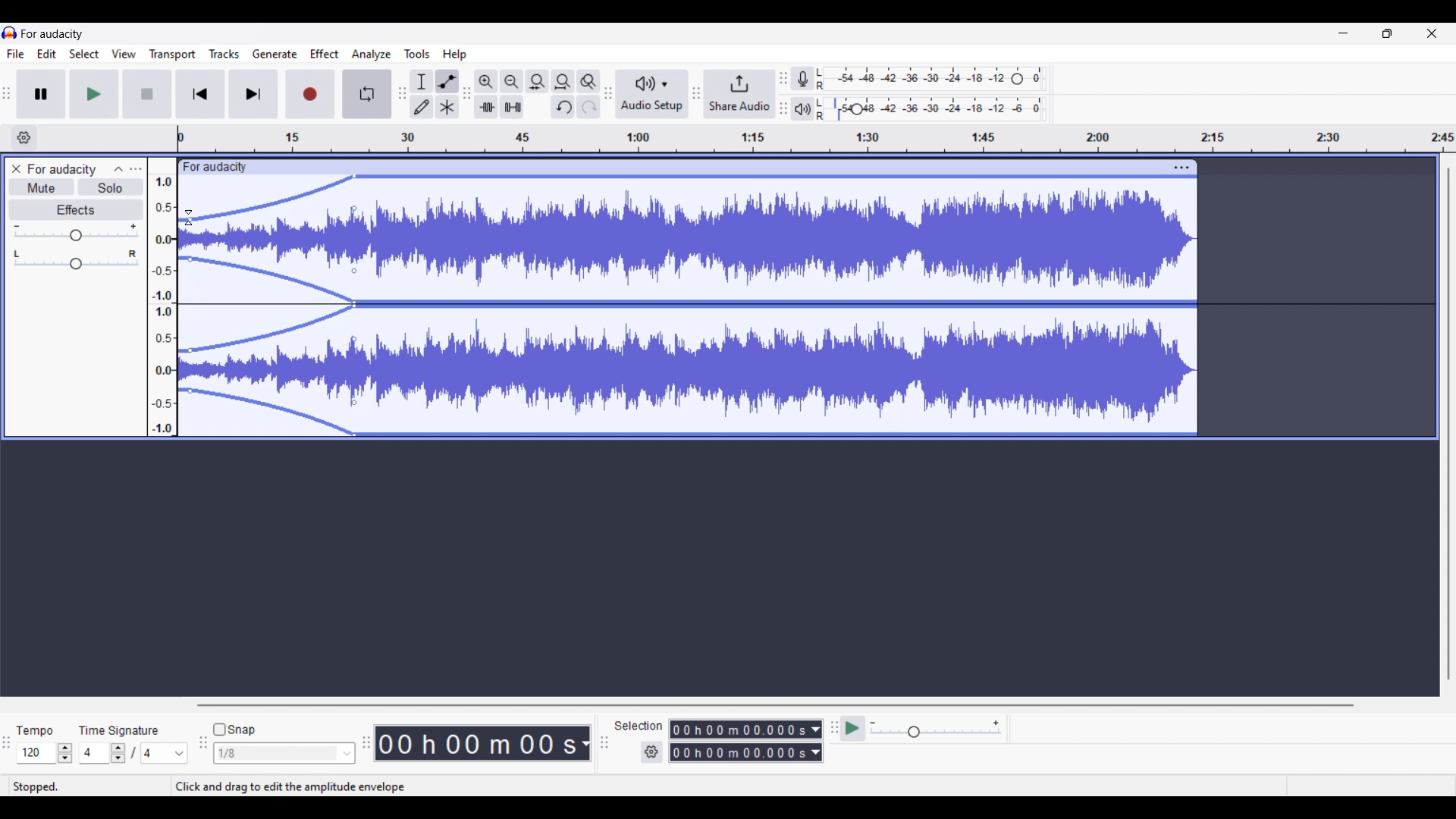 Image resolution: width=1456 pixels, height=819 pixels. I want to click on Current duration, so click(475, 743).